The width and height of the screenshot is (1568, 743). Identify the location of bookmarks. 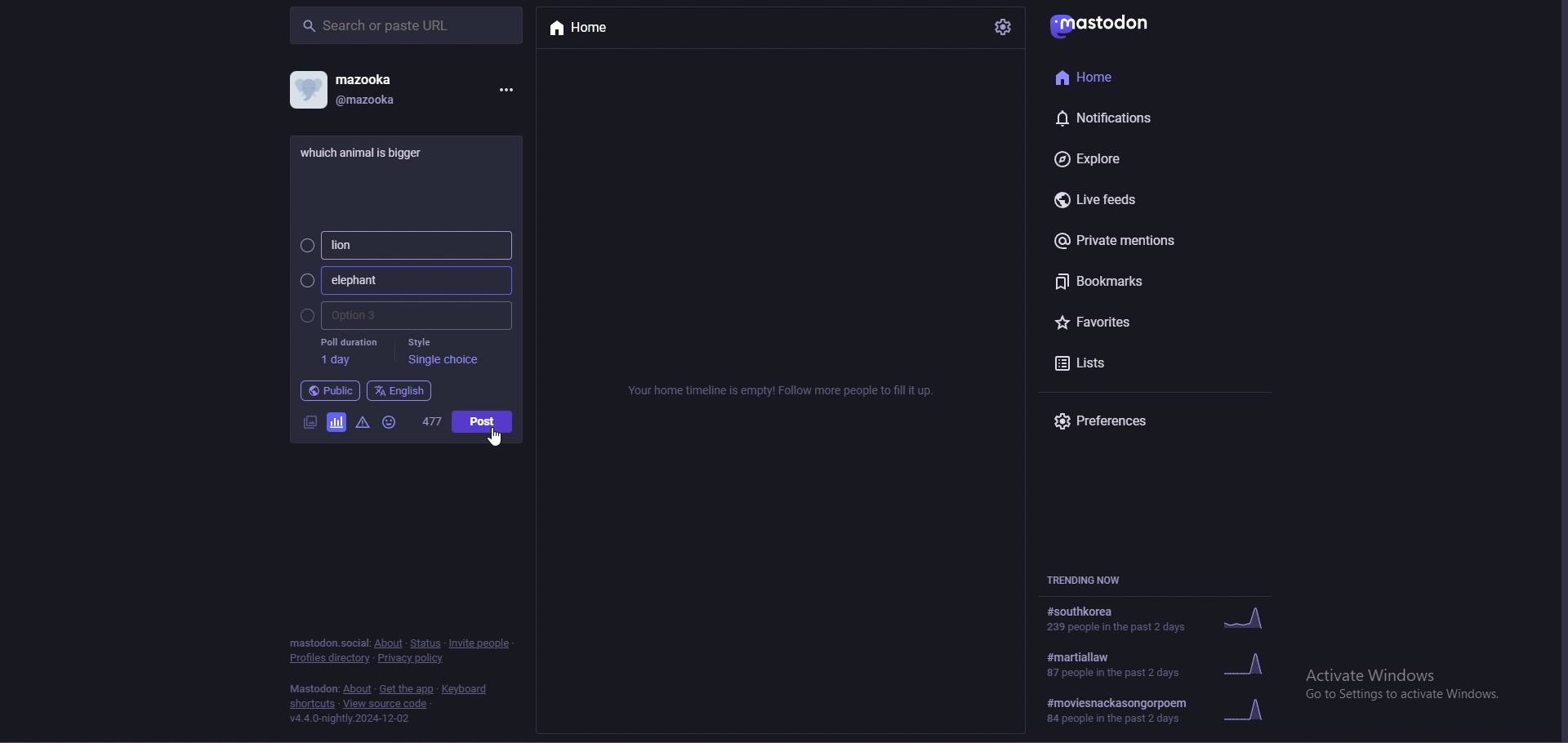
(1126, 281).